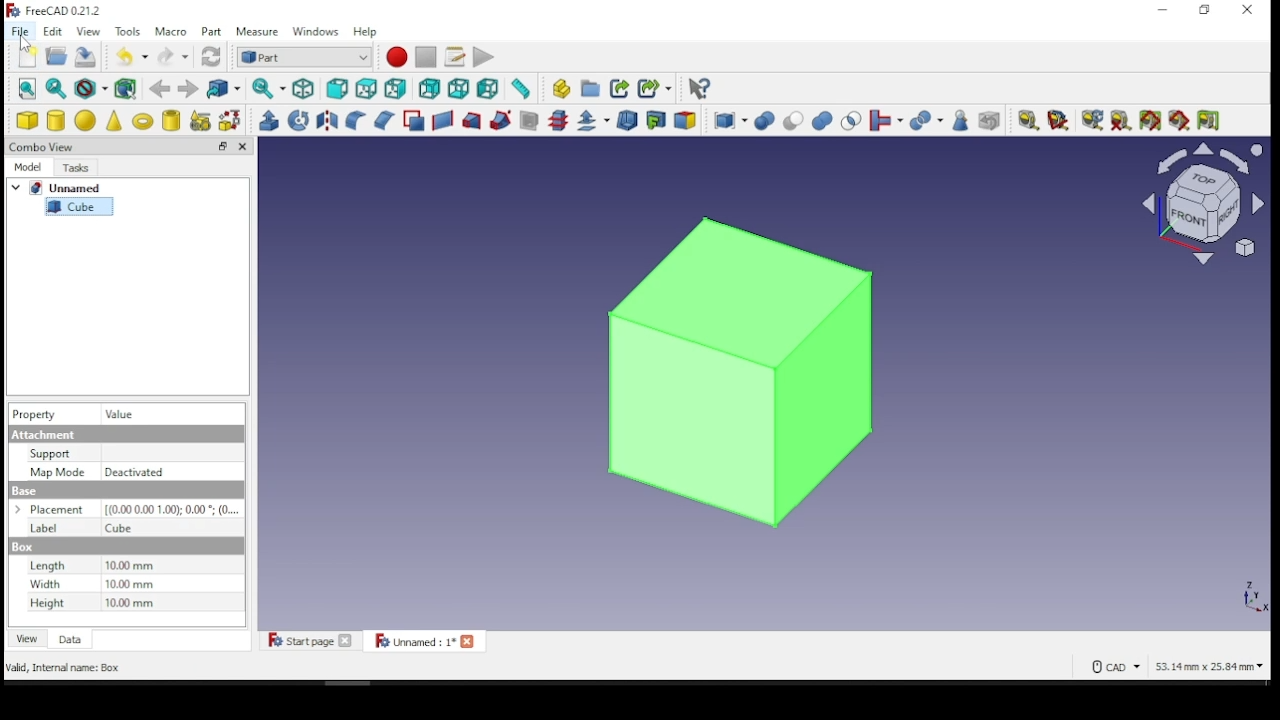 This screenshot has height=720, width=1280. I want to click on stop macro recording, so click(424, 57).